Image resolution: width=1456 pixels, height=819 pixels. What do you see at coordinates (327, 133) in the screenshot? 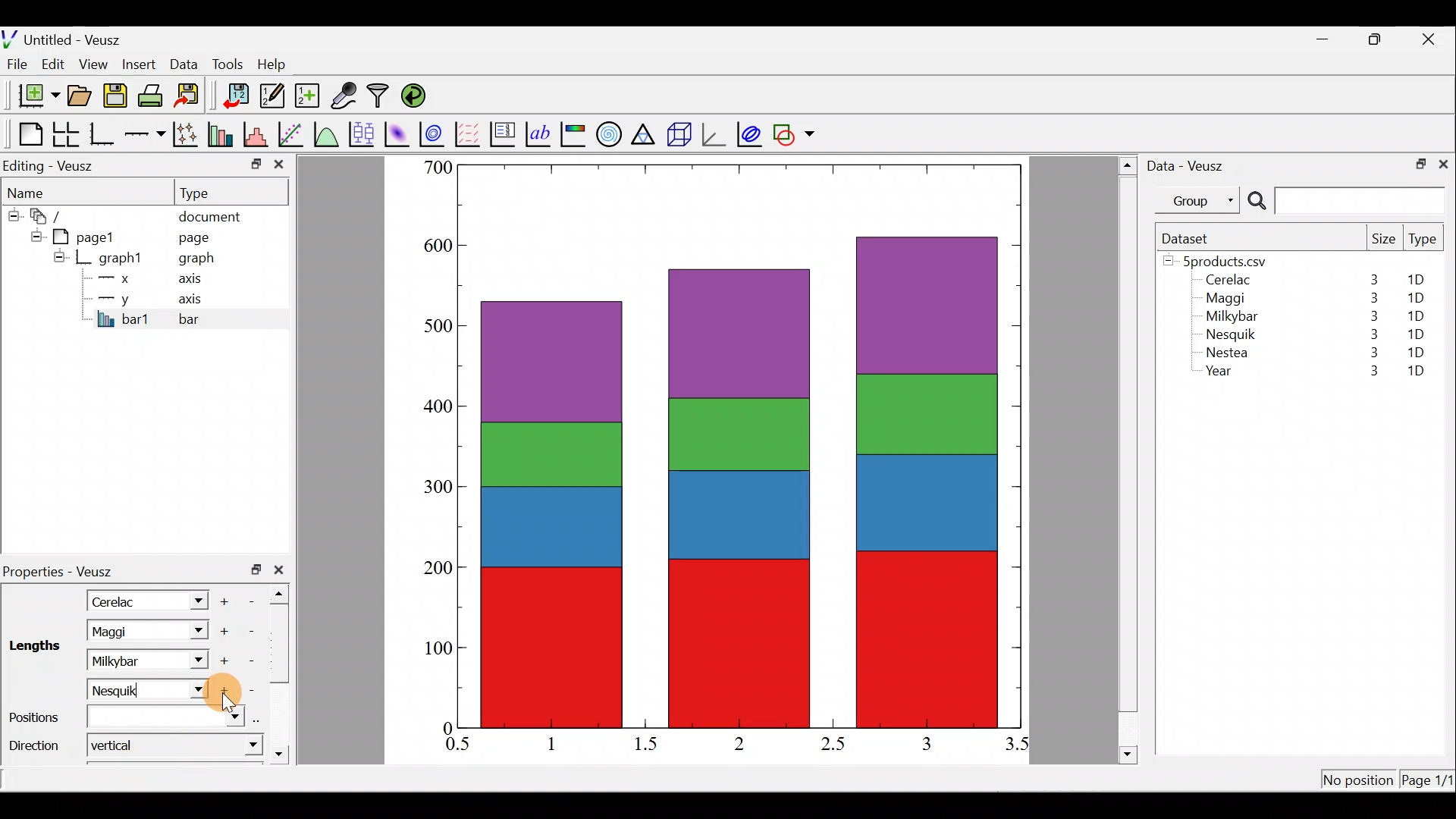
I see `Plot a function` at bounding box center [327, 133].